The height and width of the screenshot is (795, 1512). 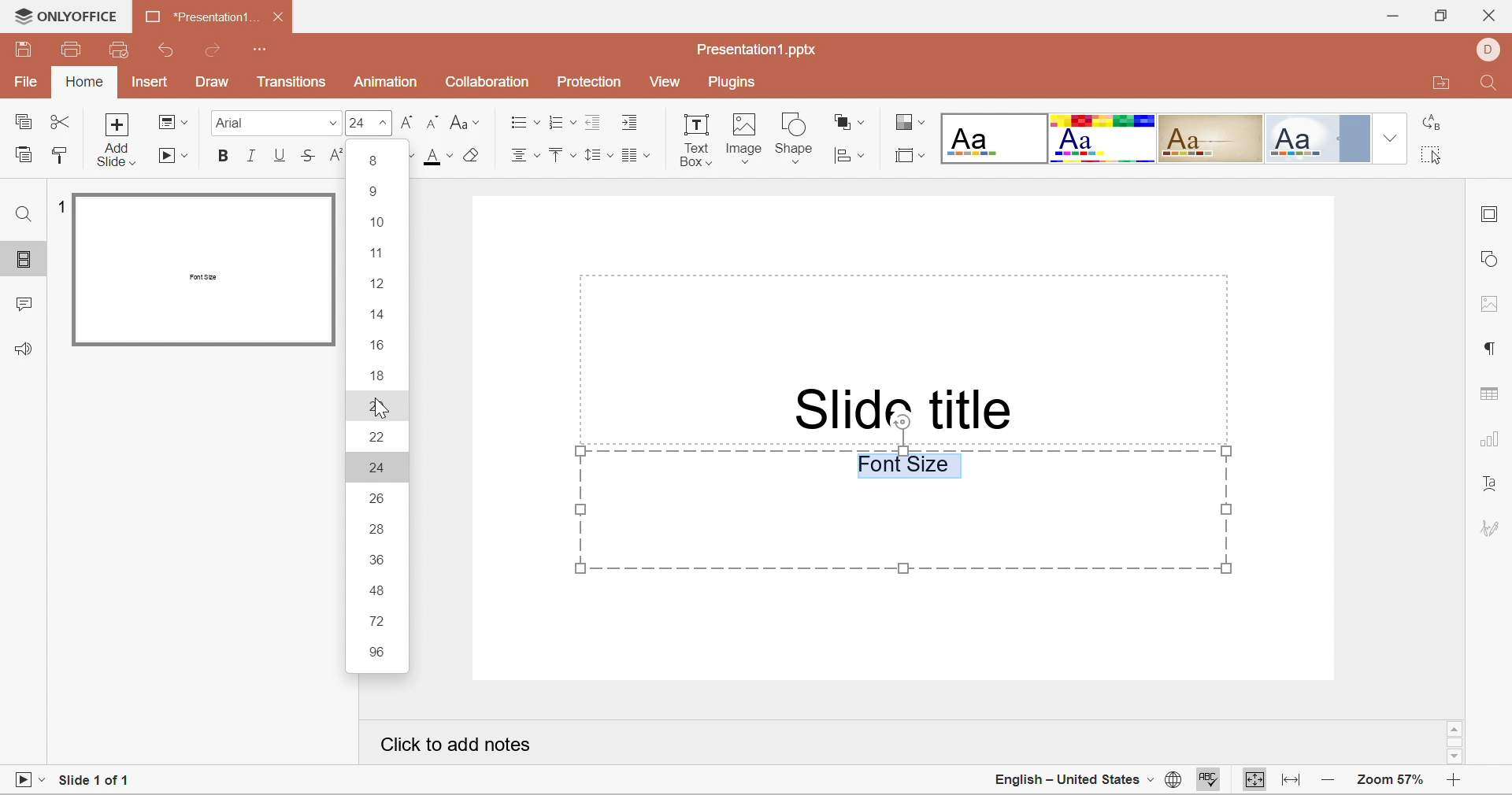 I want to click on Select slide size, so click(x=910, y=155).